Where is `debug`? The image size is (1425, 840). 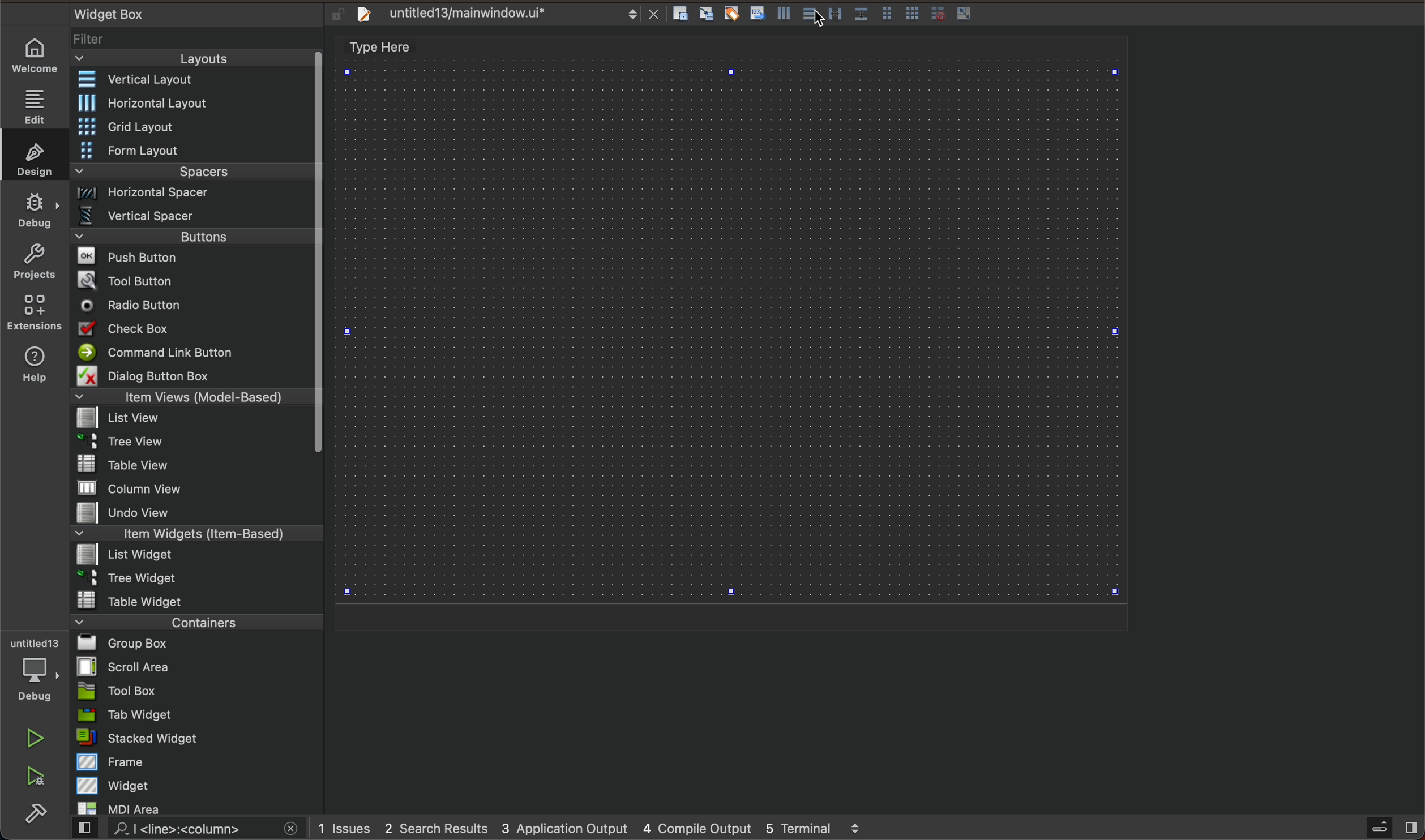
debug is located at coordinates (32, 671).